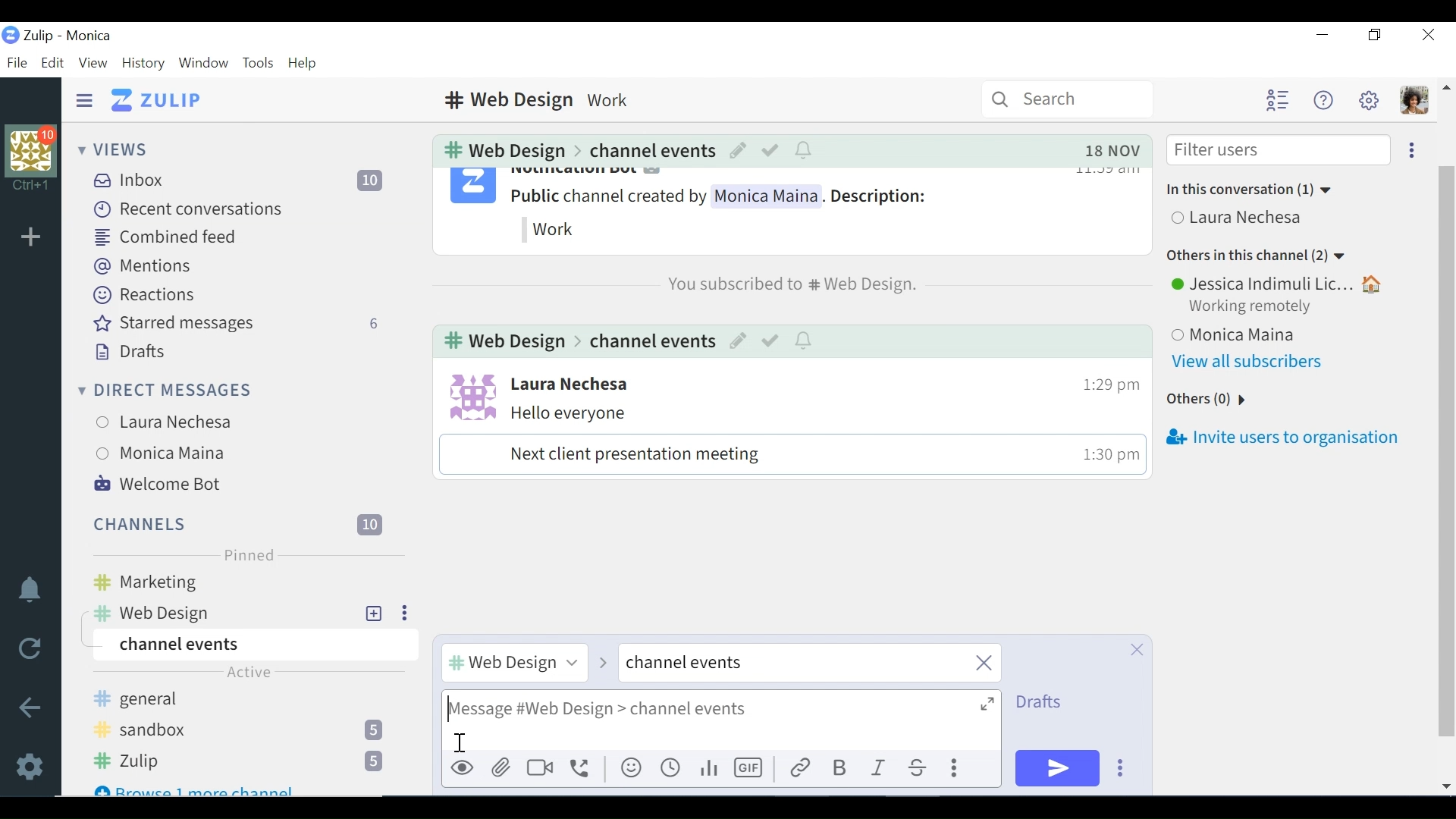  I want to click on general Channel, so click(243, 701).